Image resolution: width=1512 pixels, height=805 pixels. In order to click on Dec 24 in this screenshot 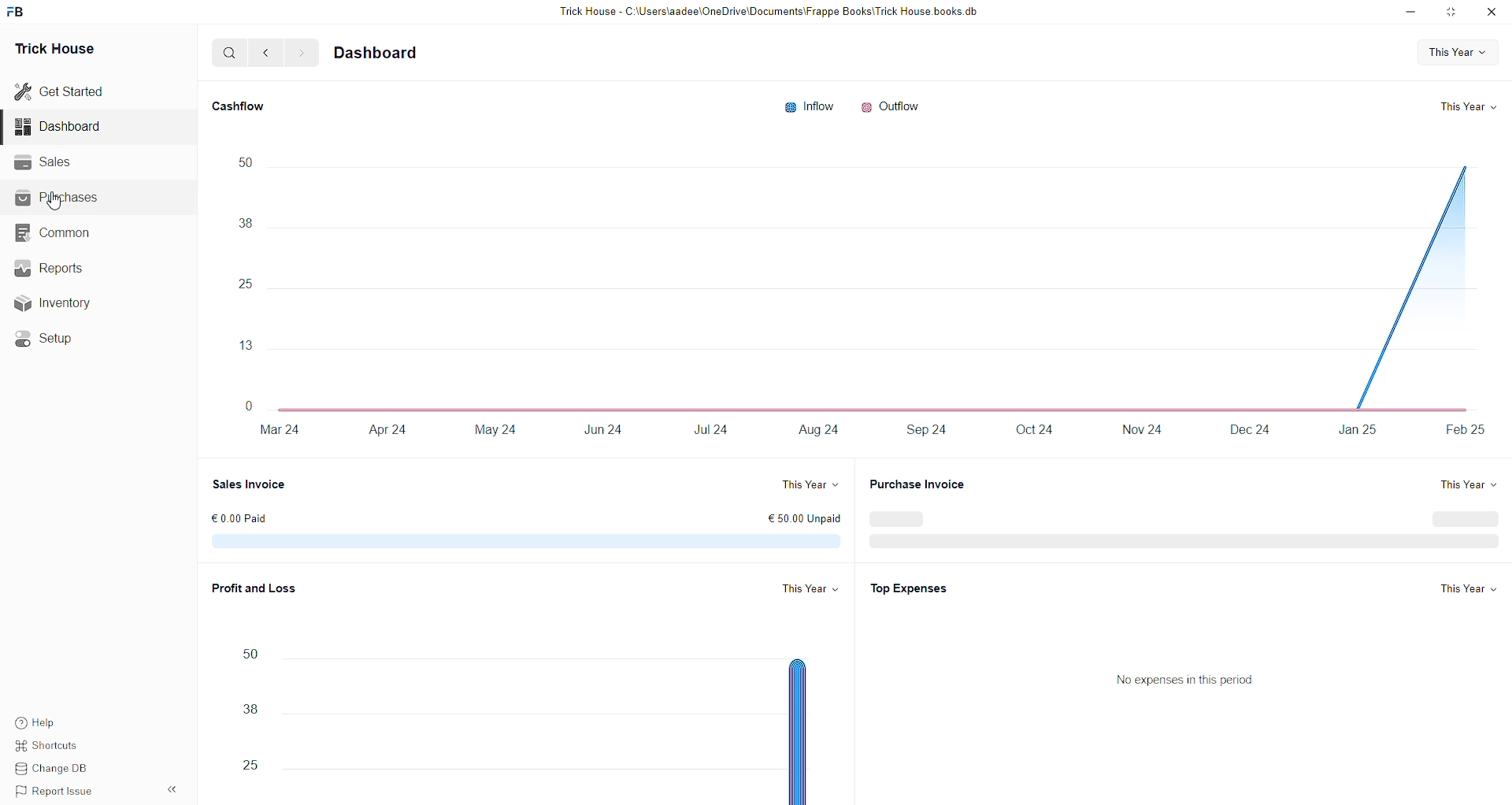, I will do `click(1248, 432)`.